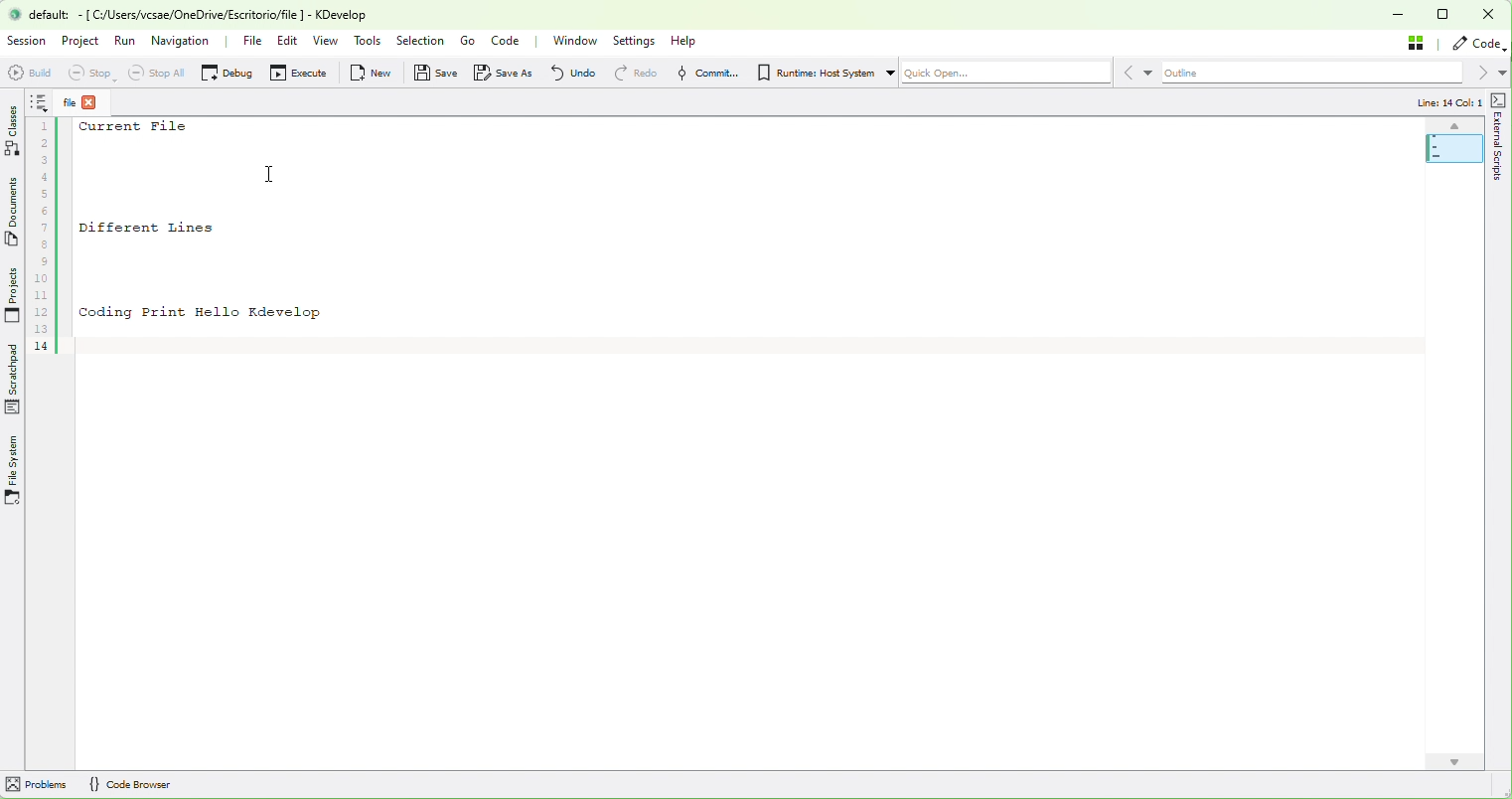 This screenshot has height=799, width=1512. Describe the element at coordinates (129, 783) in the screenshot. I see `{} code Browser` at that location.